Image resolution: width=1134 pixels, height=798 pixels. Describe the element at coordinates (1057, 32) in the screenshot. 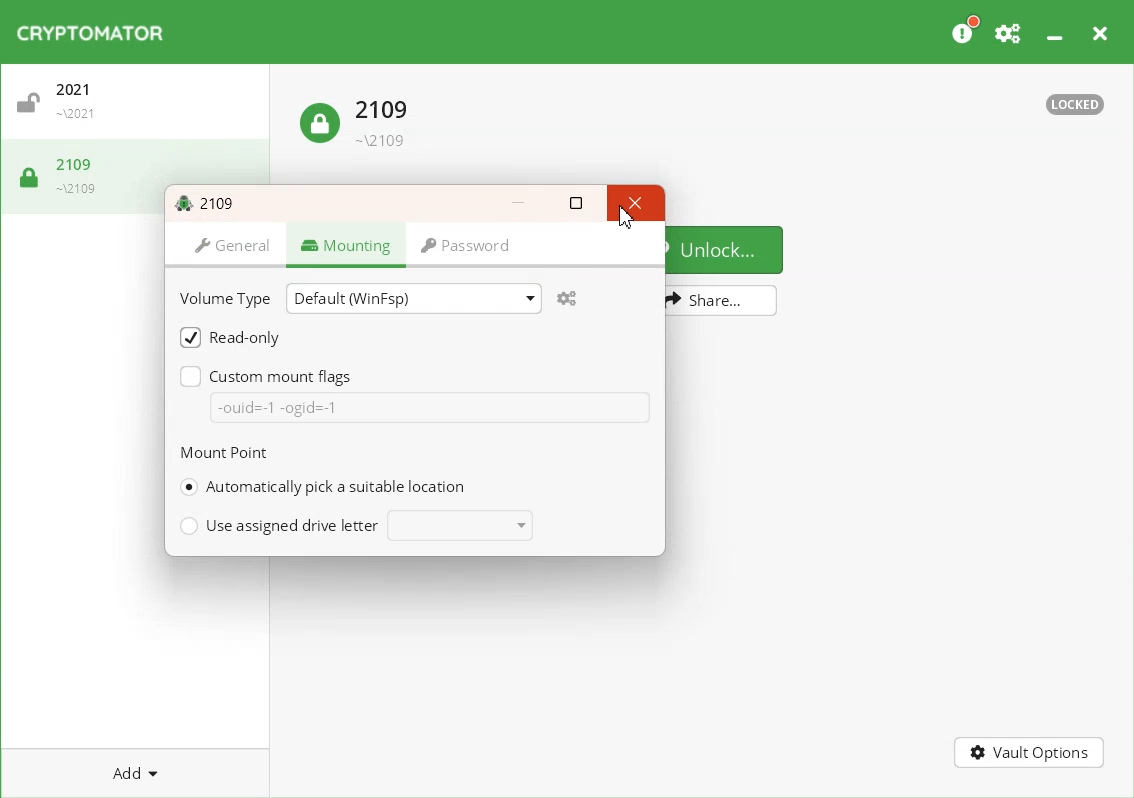

I see `Minimize` at that location.